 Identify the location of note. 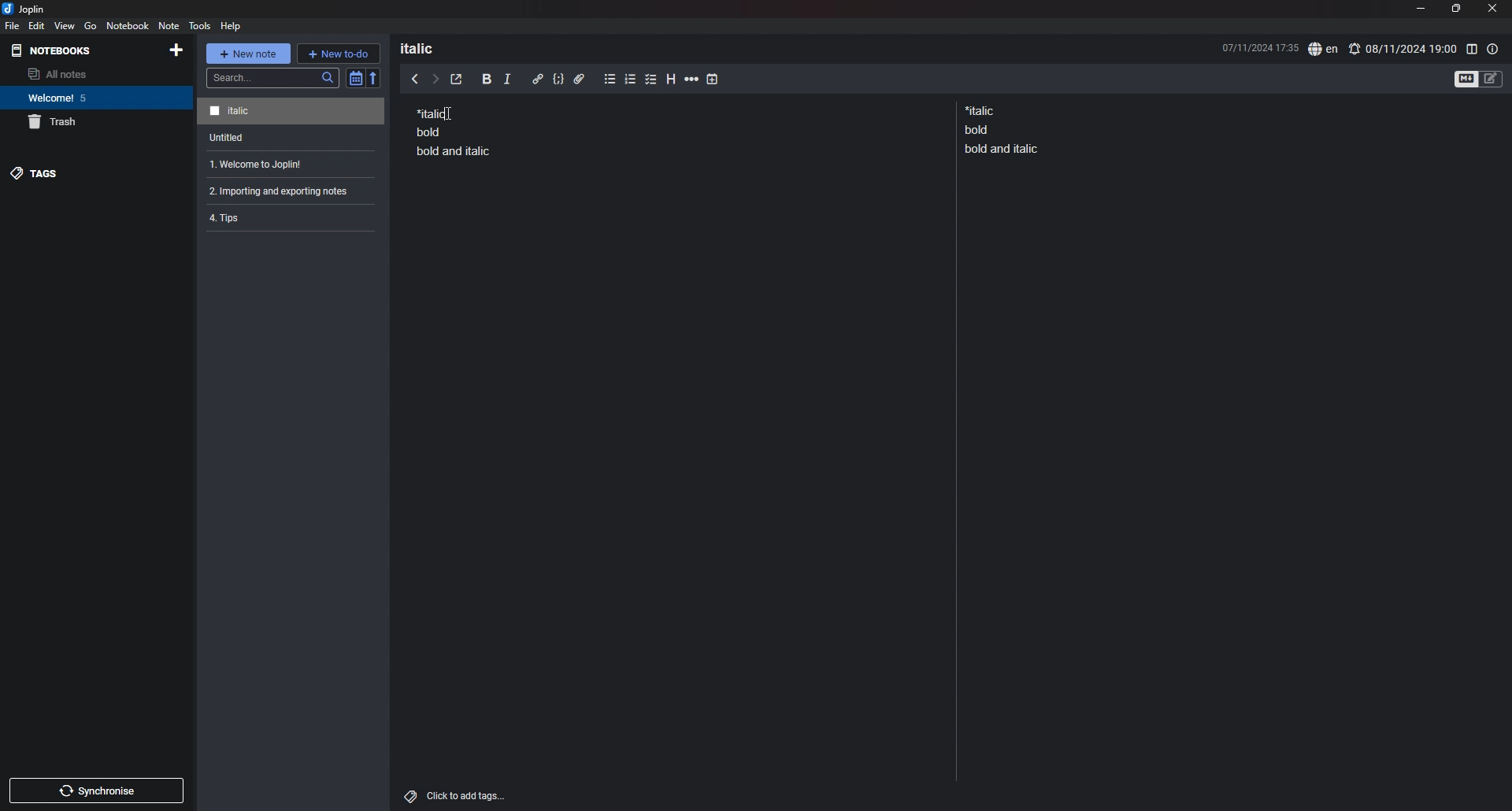
(454, 131).